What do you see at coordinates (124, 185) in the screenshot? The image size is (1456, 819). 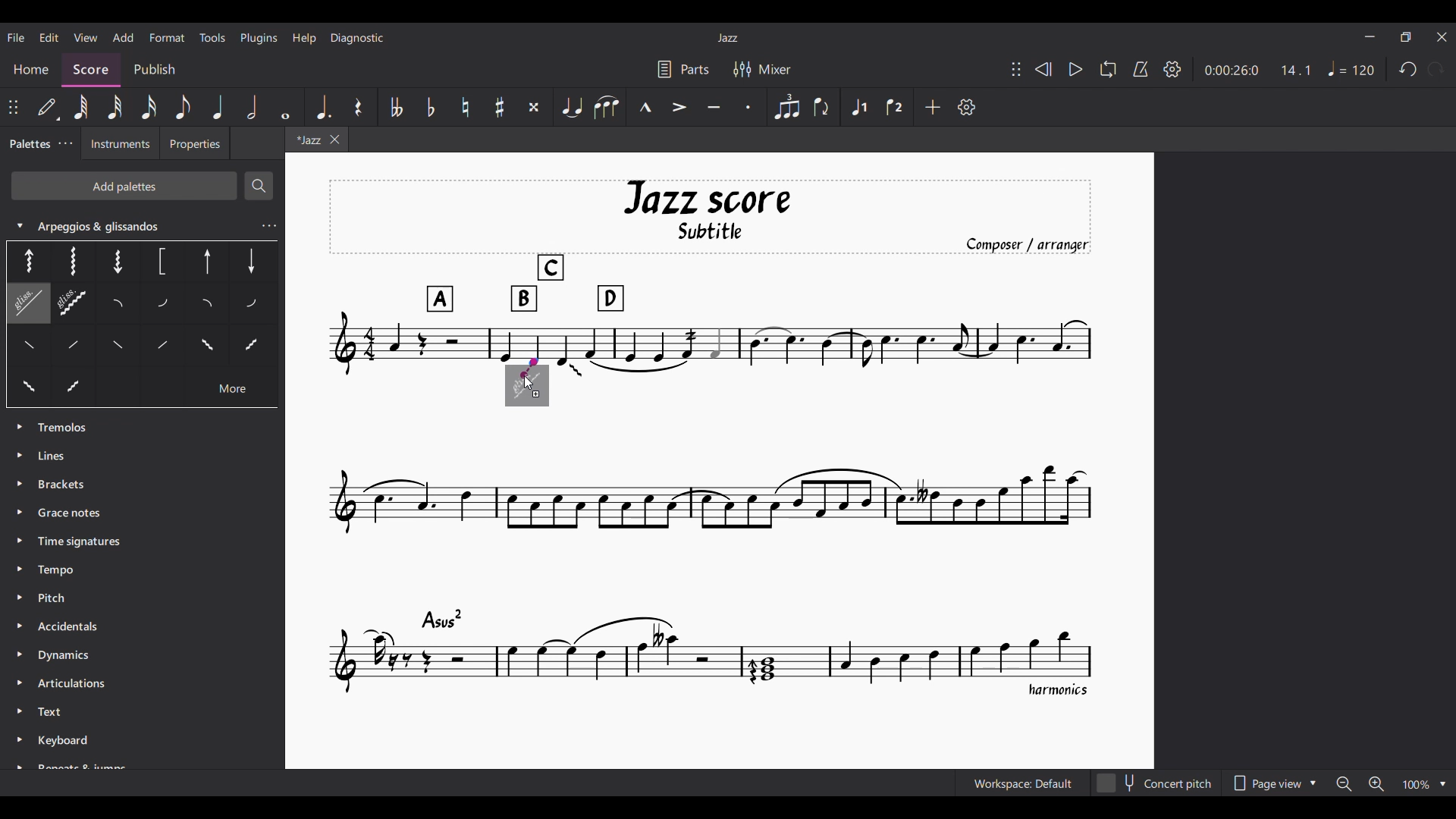 I see `Add palettes` at bounding box center [124, 185].